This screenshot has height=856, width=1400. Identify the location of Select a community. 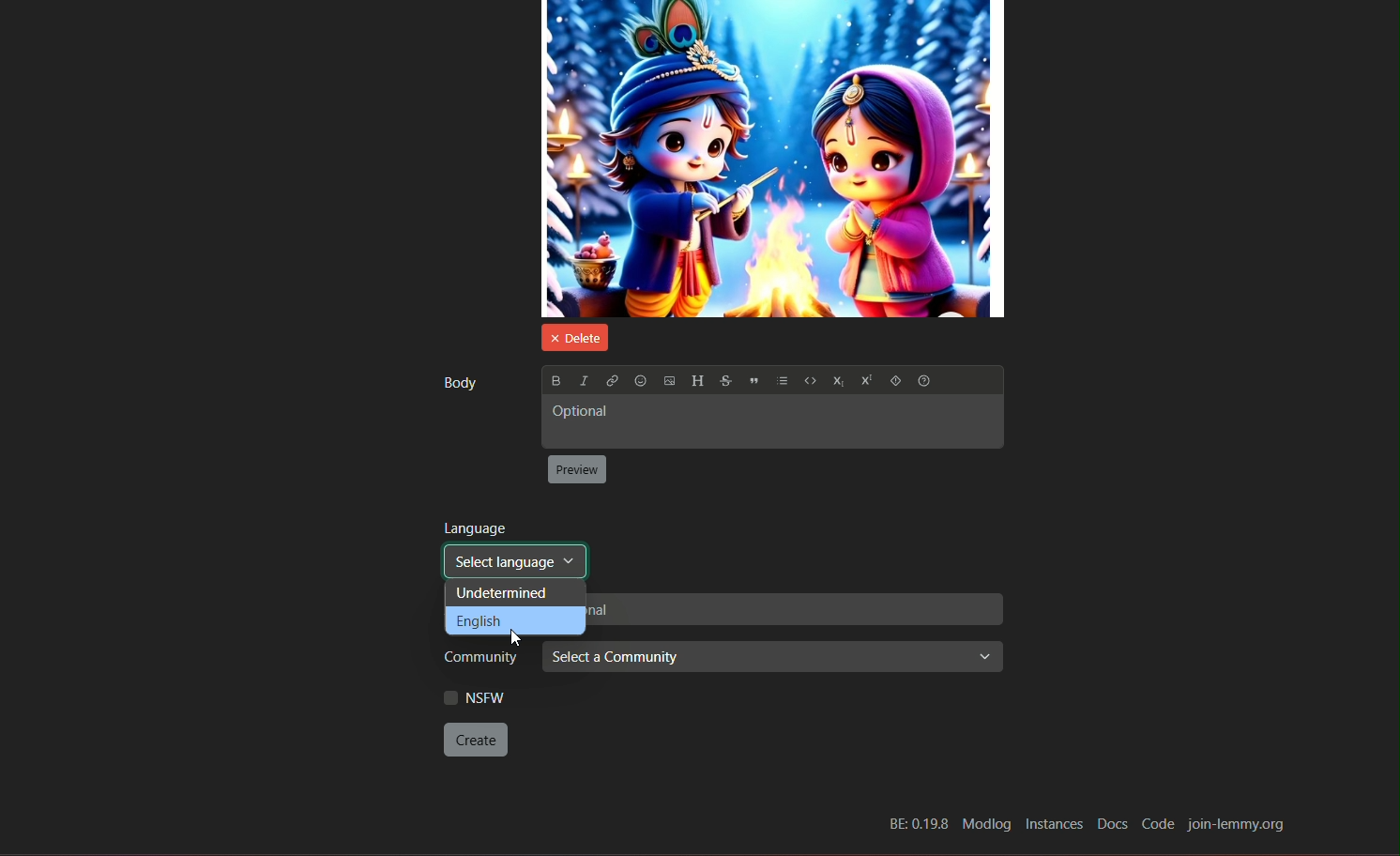
(771, 658).